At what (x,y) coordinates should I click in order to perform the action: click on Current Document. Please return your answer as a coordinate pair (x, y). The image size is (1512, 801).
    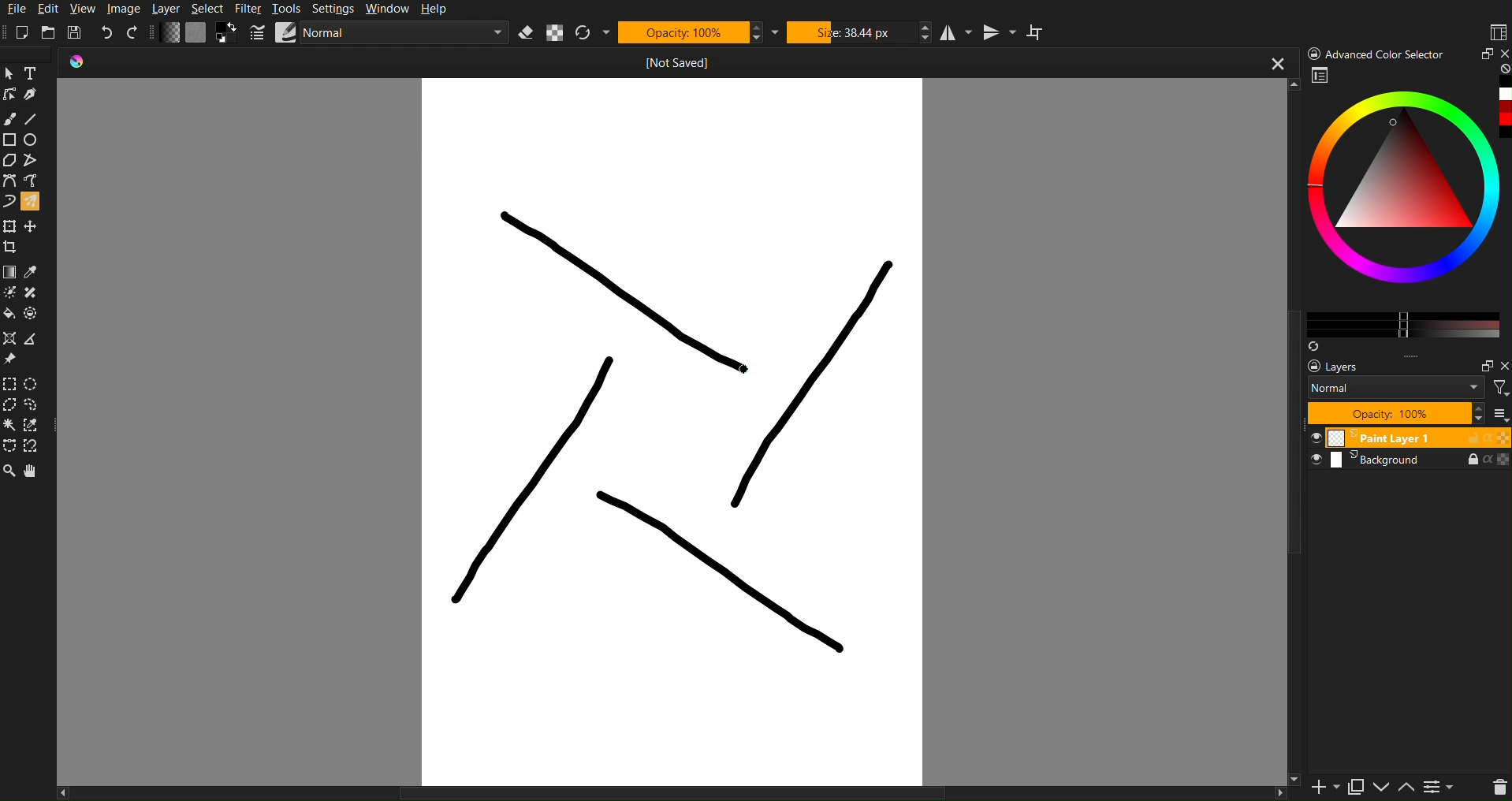
    Looking at the image, I should click on (646, 61).